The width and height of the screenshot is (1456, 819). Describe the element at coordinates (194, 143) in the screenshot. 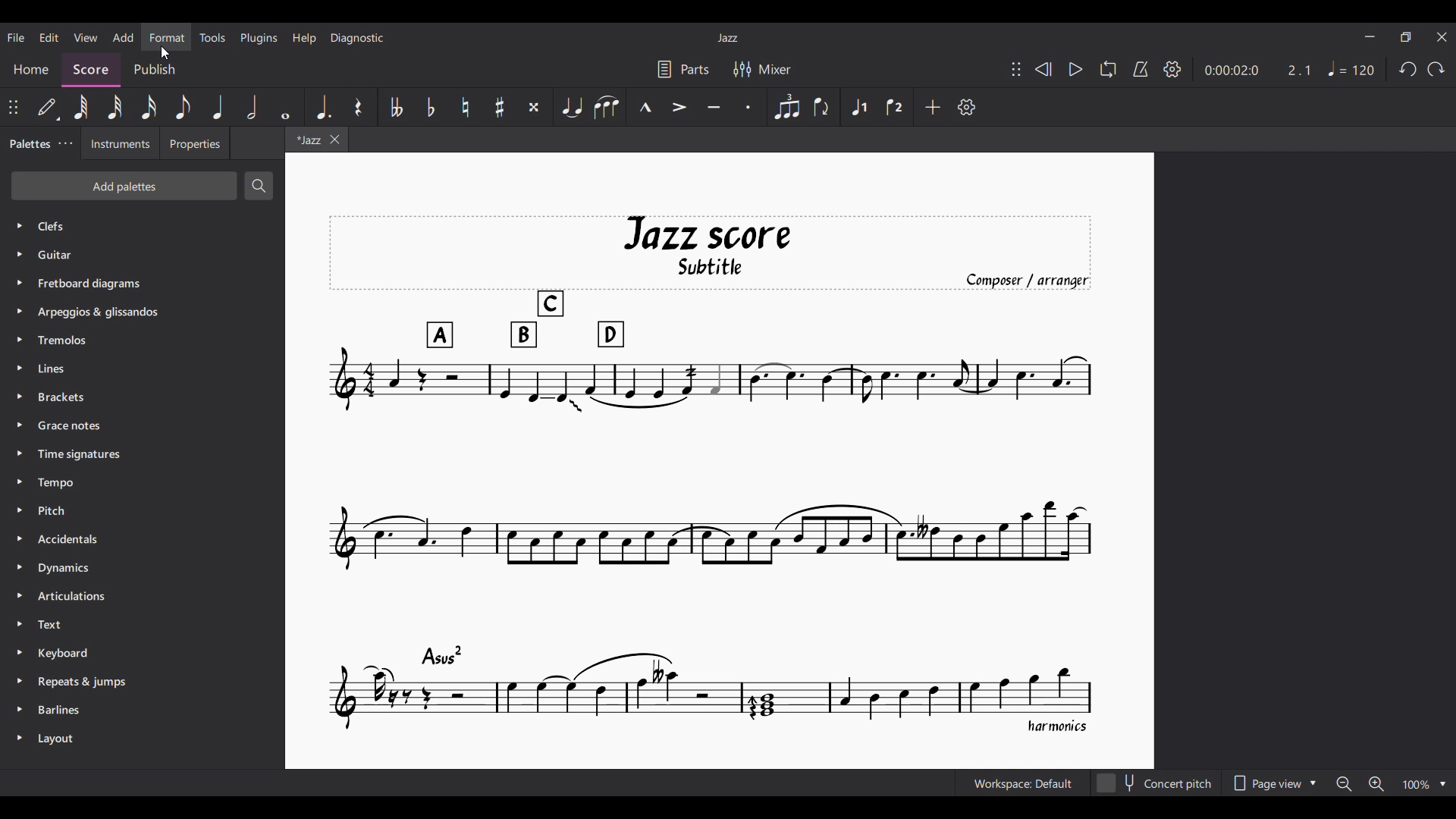

I see `Properties` at that location.